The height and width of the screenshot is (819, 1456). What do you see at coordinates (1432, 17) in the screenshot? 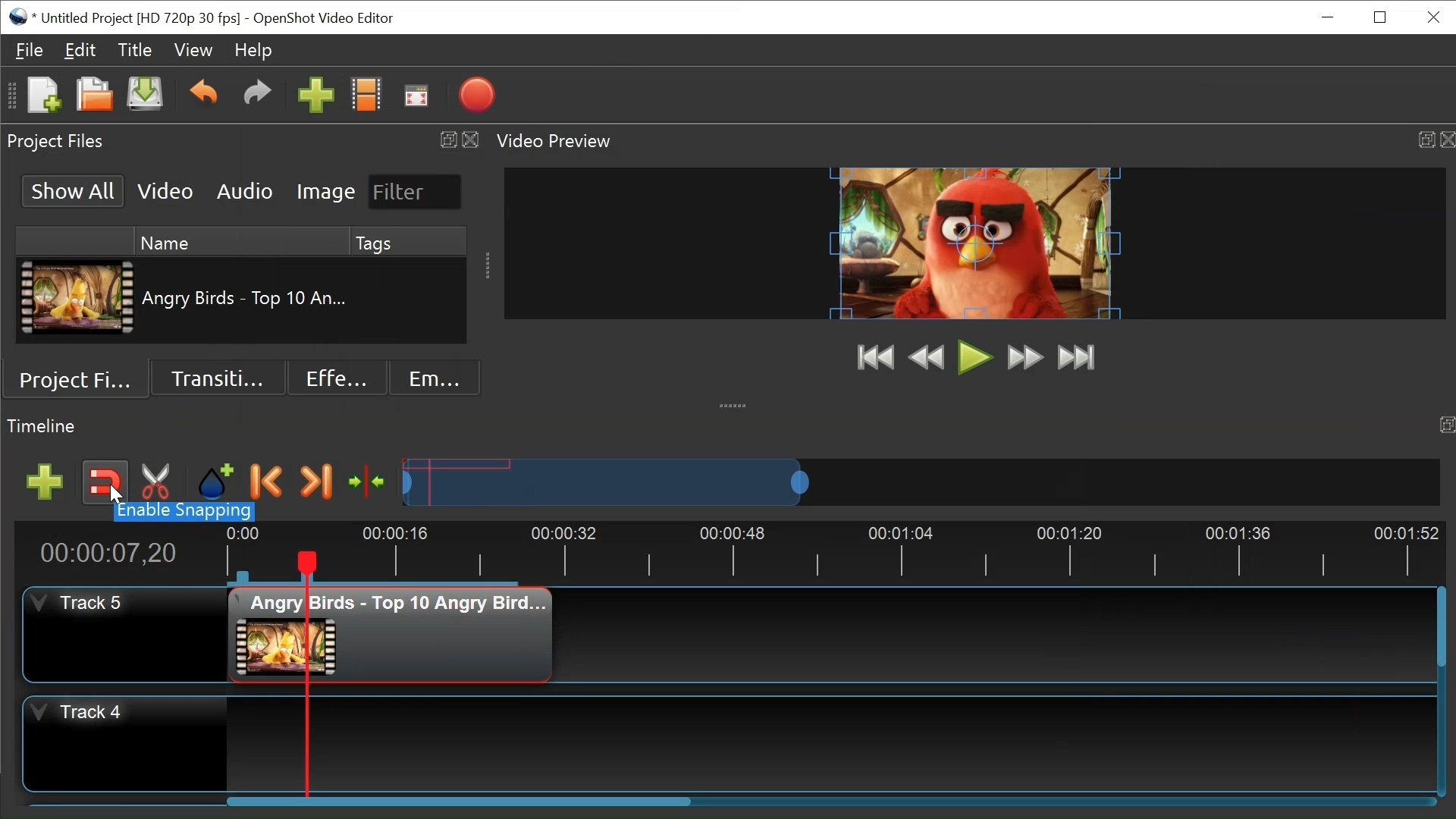
I see `Close` at bounding box center [1432, 17].